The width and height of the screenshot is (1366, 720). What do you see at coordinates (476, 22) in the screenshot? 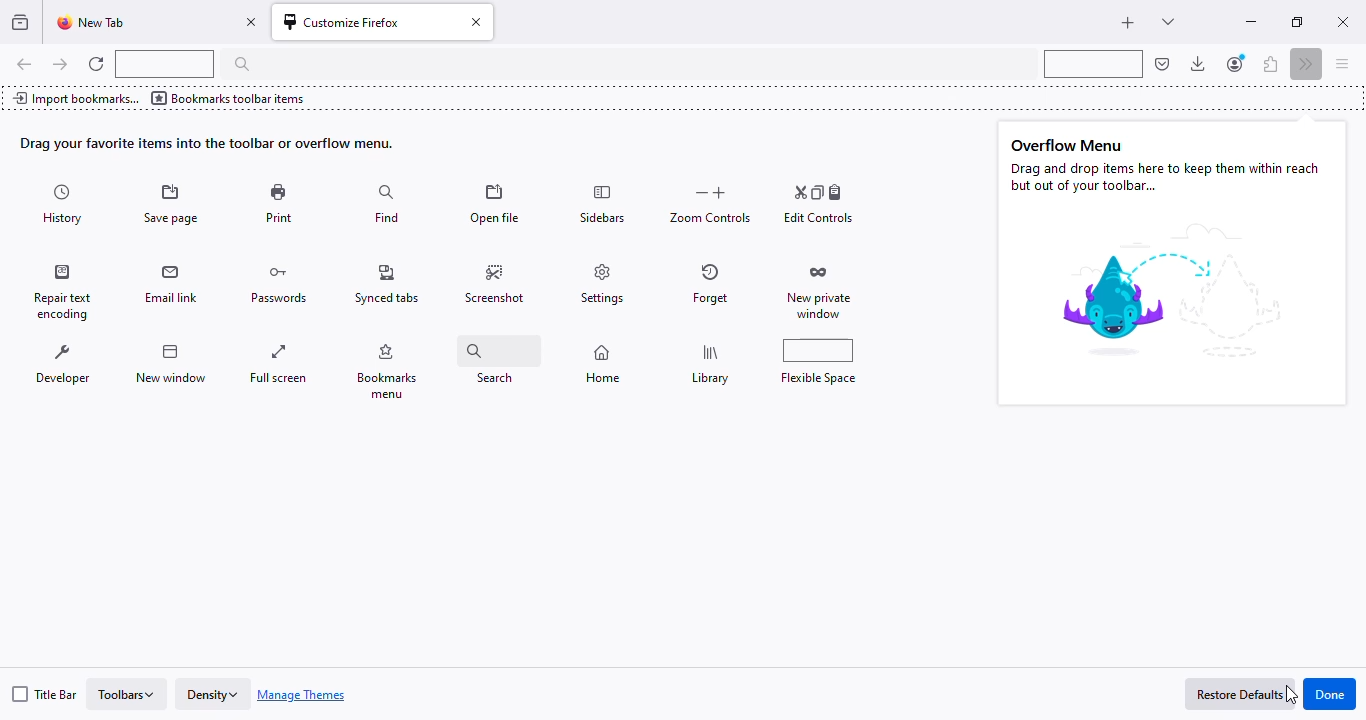
I see `close tab` at bounding box center [476, 22].